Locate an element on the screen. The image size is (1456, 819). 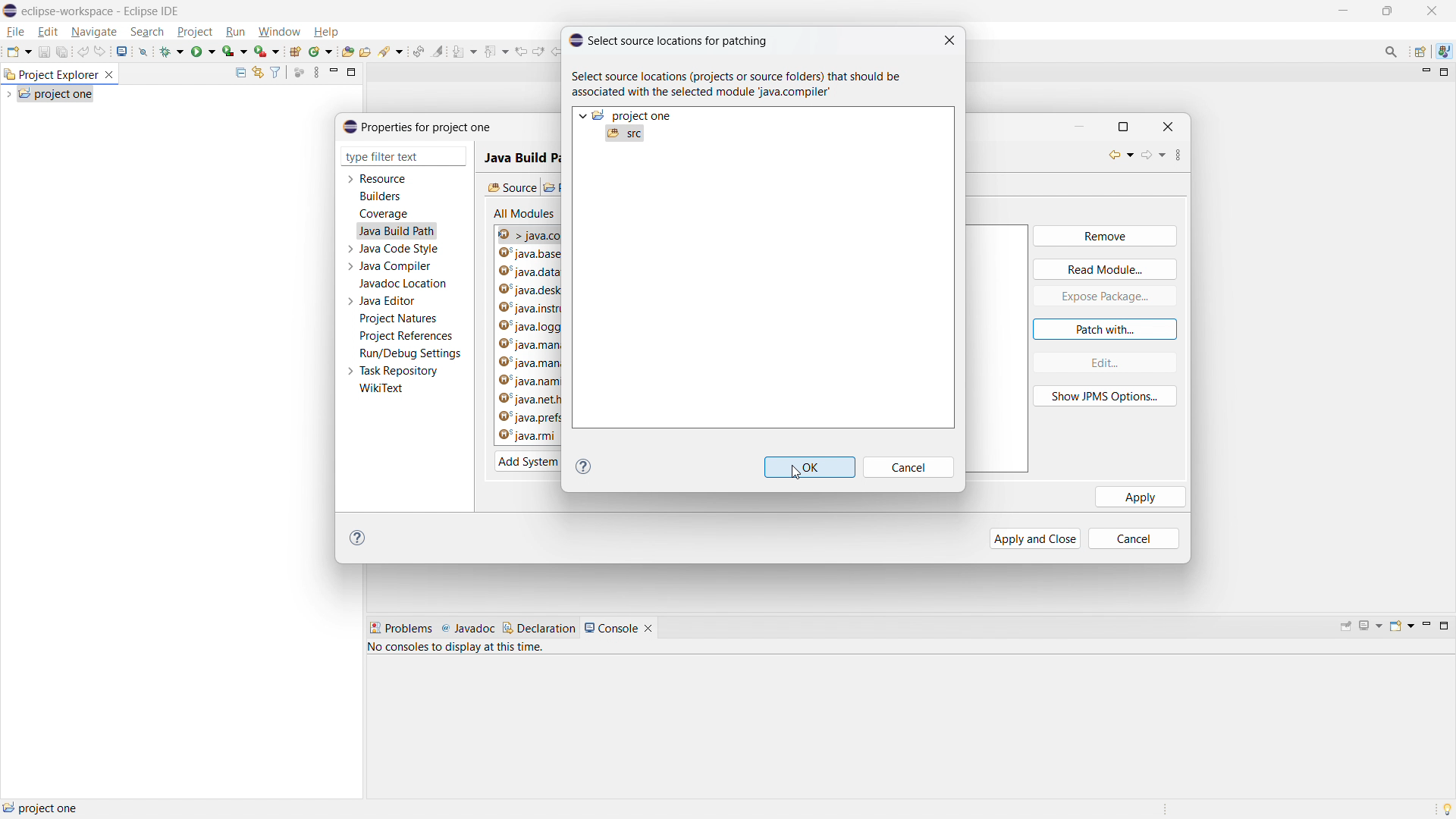
select source locations (projects or source folders) that should be associated with the selected module 'java.compiler' is located at coordinates (742, 85).